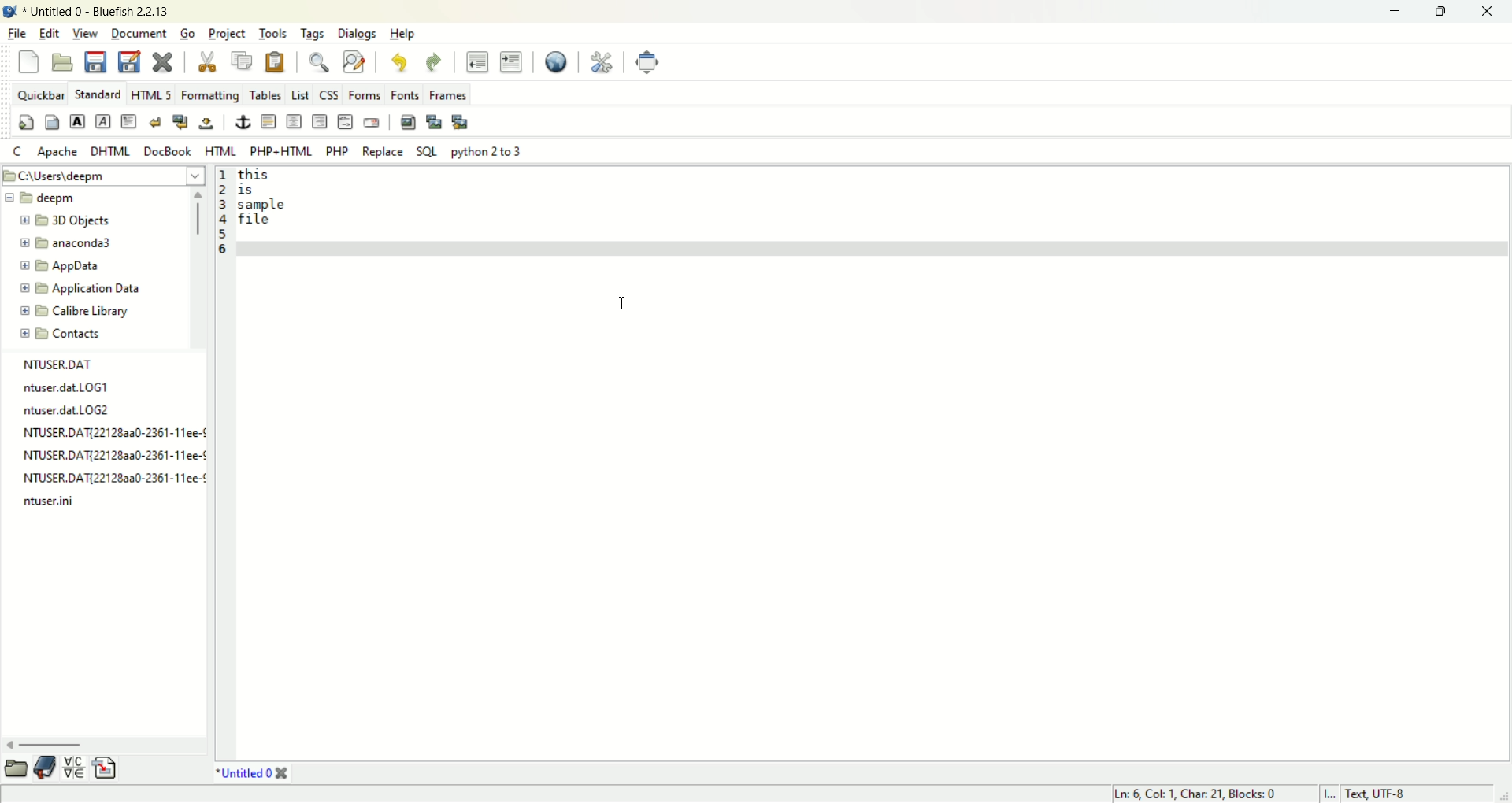  Describe the element at coordinates (66, 220) in the screenshot. I see `3D objects` at that location.